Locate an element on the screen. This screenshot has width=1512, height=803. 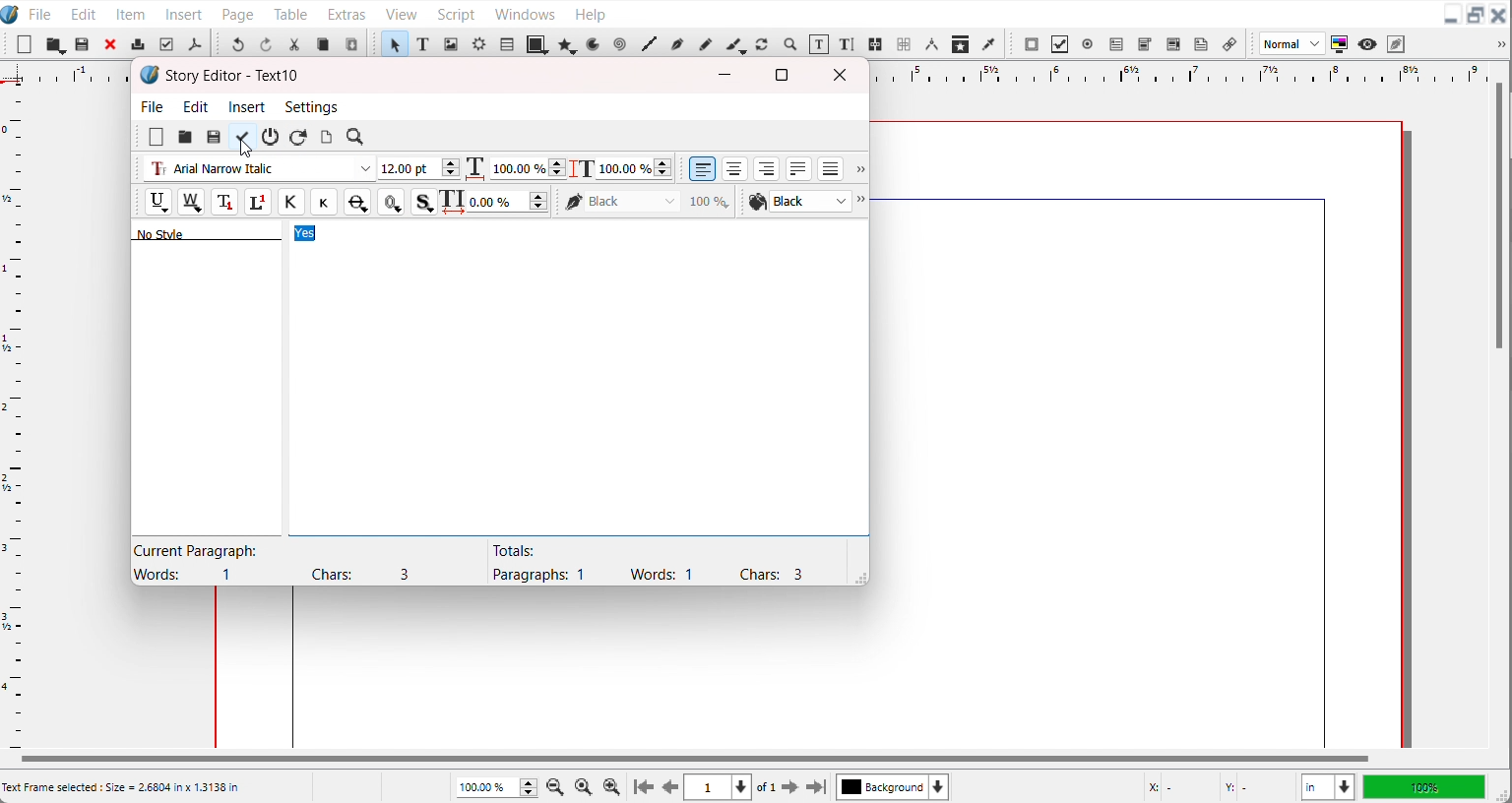
Black is located at coordinates (648, 201).